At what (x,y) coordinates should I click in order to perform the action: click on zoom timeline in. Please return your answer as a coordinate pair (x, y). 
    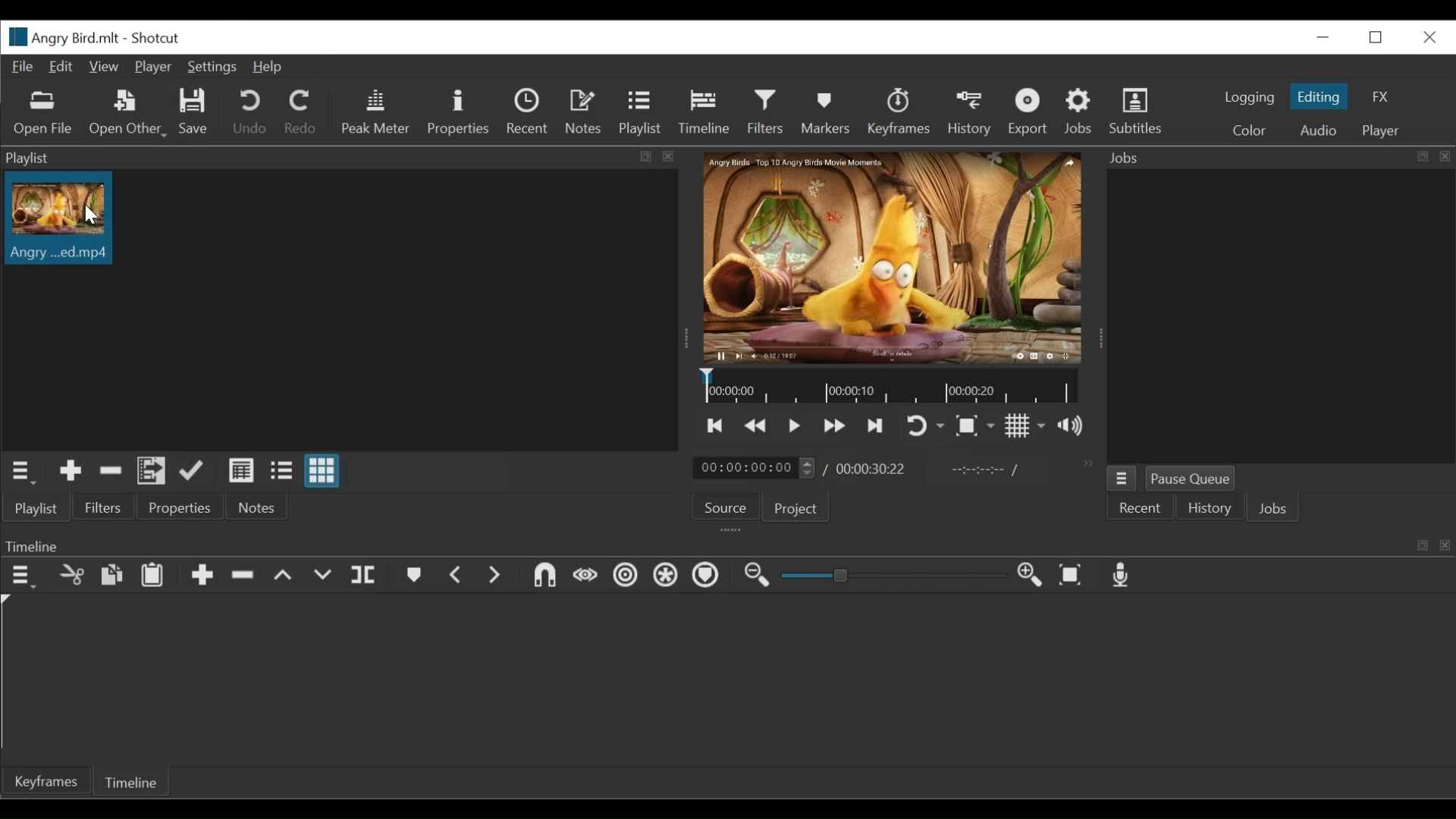
    Looking at the image, I should click on (1030, 575).